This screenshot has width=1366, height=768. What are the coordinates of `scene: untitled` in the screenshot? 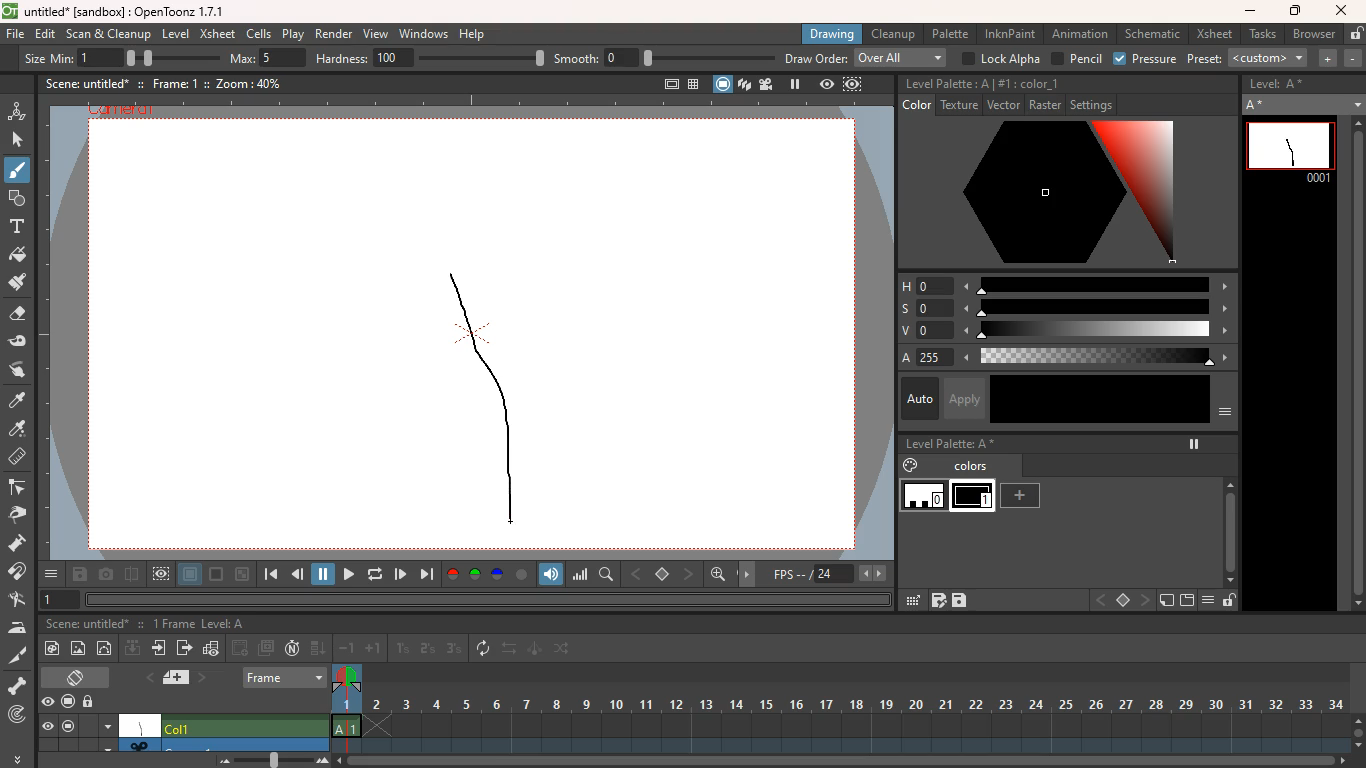 It's located at (84, 625).